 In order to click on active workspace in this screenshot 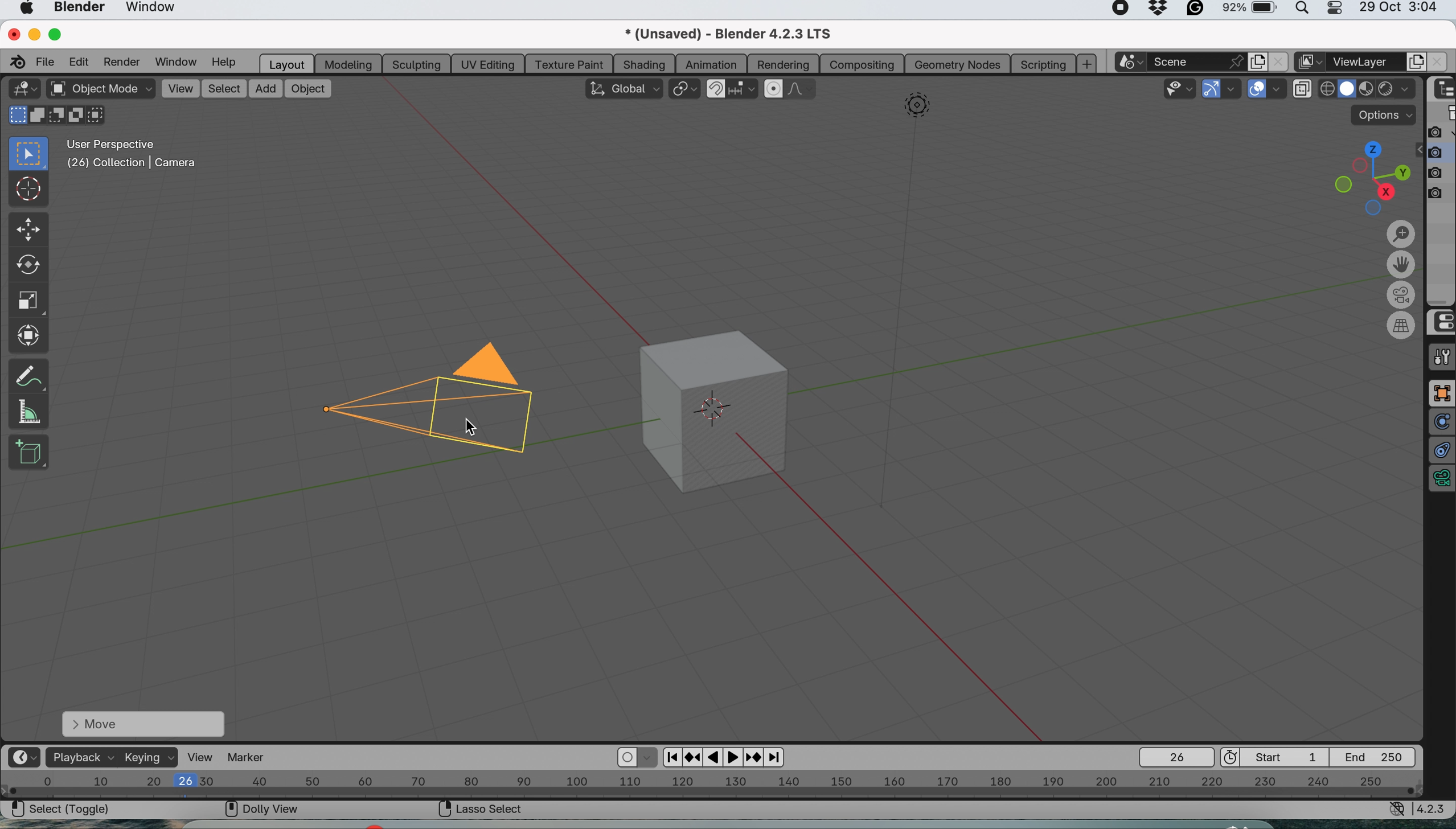, I will do `click(1307, 63)`.